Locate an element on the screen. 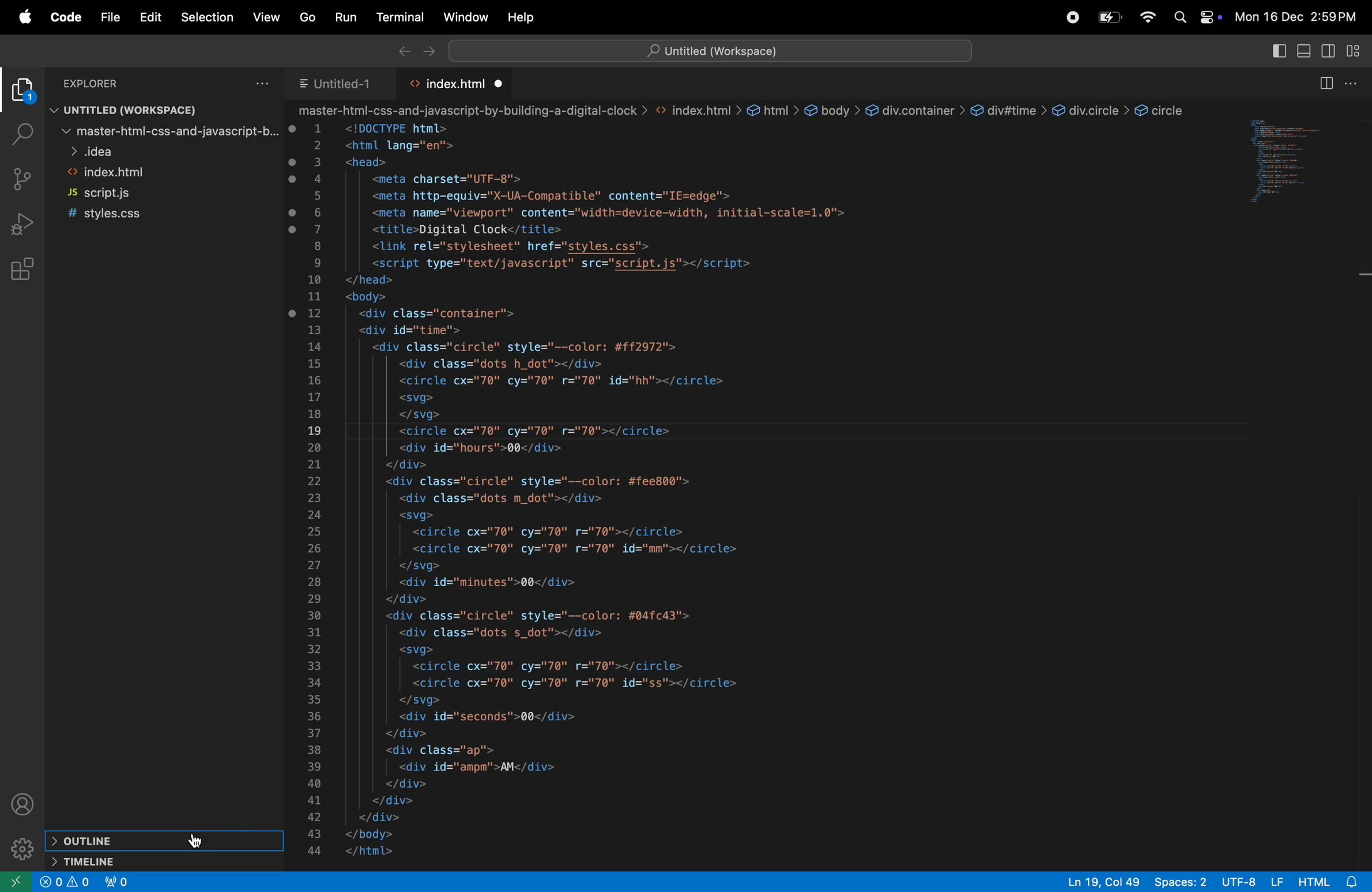 This screenshot has height=892, width=1372. toggle panel is located at coordinates (1305, 52).